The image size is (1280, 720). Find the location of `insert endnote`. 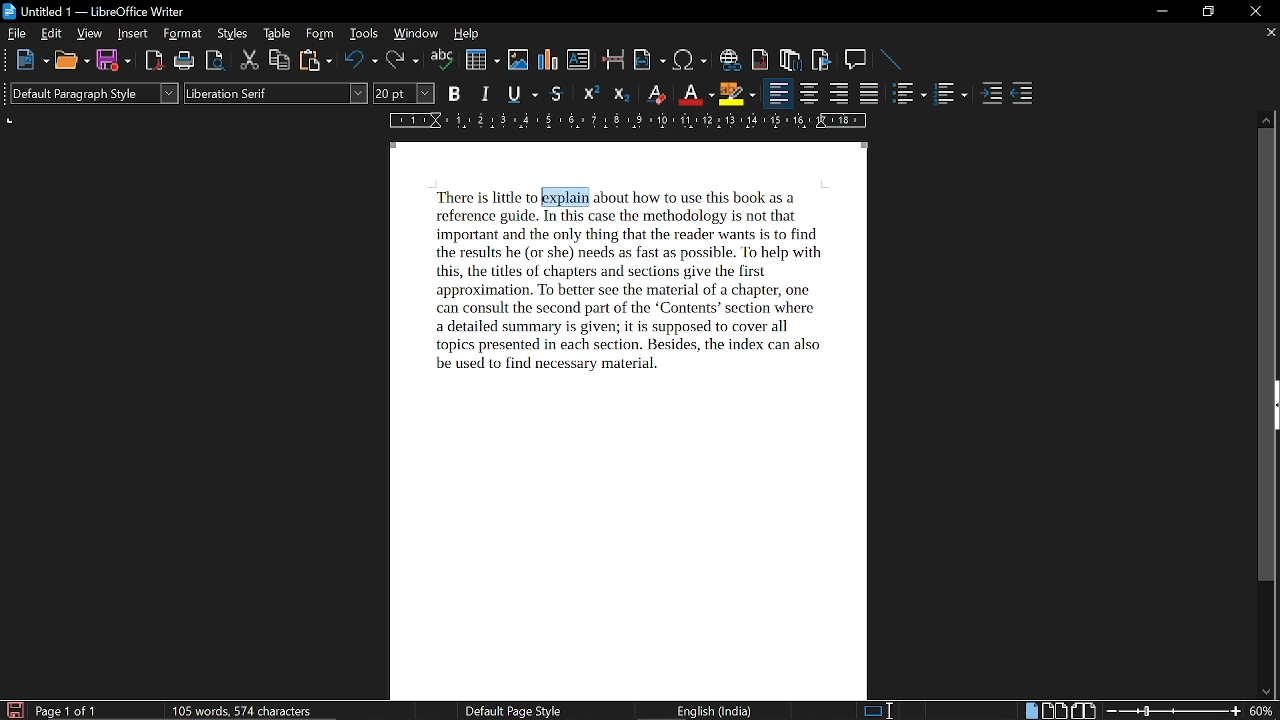

insert endnote is located at coordinates (761, 59).